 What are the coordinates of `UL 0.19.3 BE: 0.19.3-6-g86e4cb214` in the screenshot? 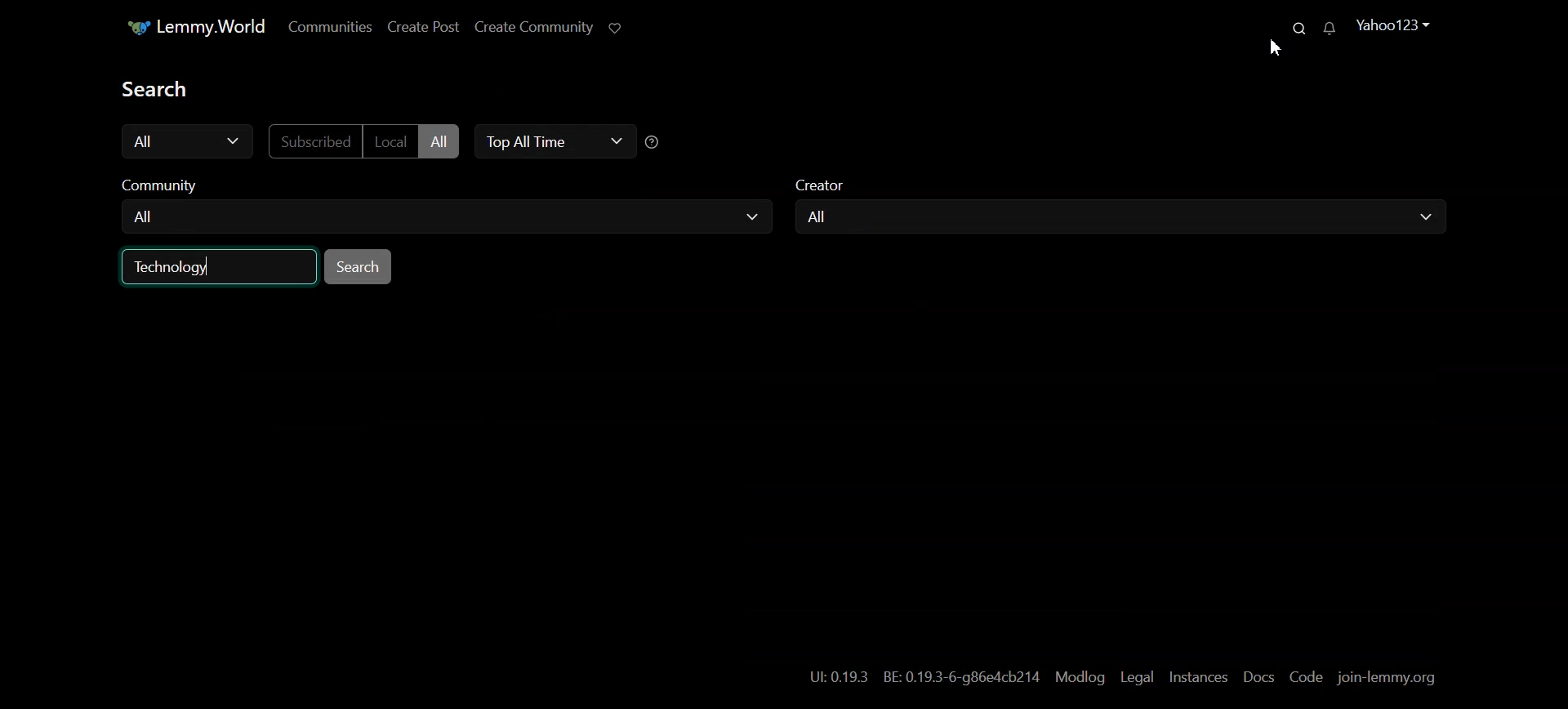 It's located at (922, 676).